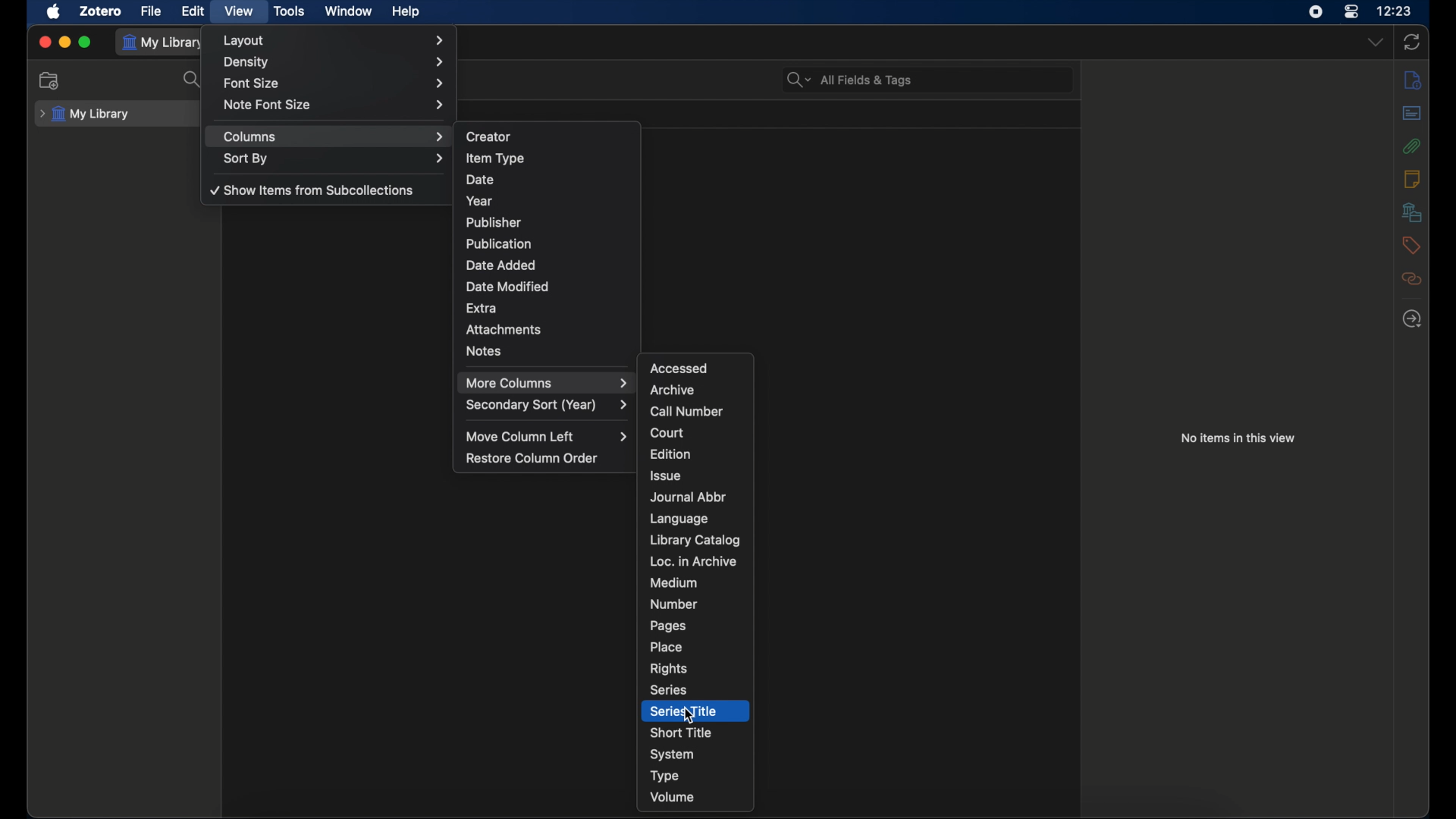  Describe the element at coordinates (481, 201) in the screenshot. I see `year` at that location.